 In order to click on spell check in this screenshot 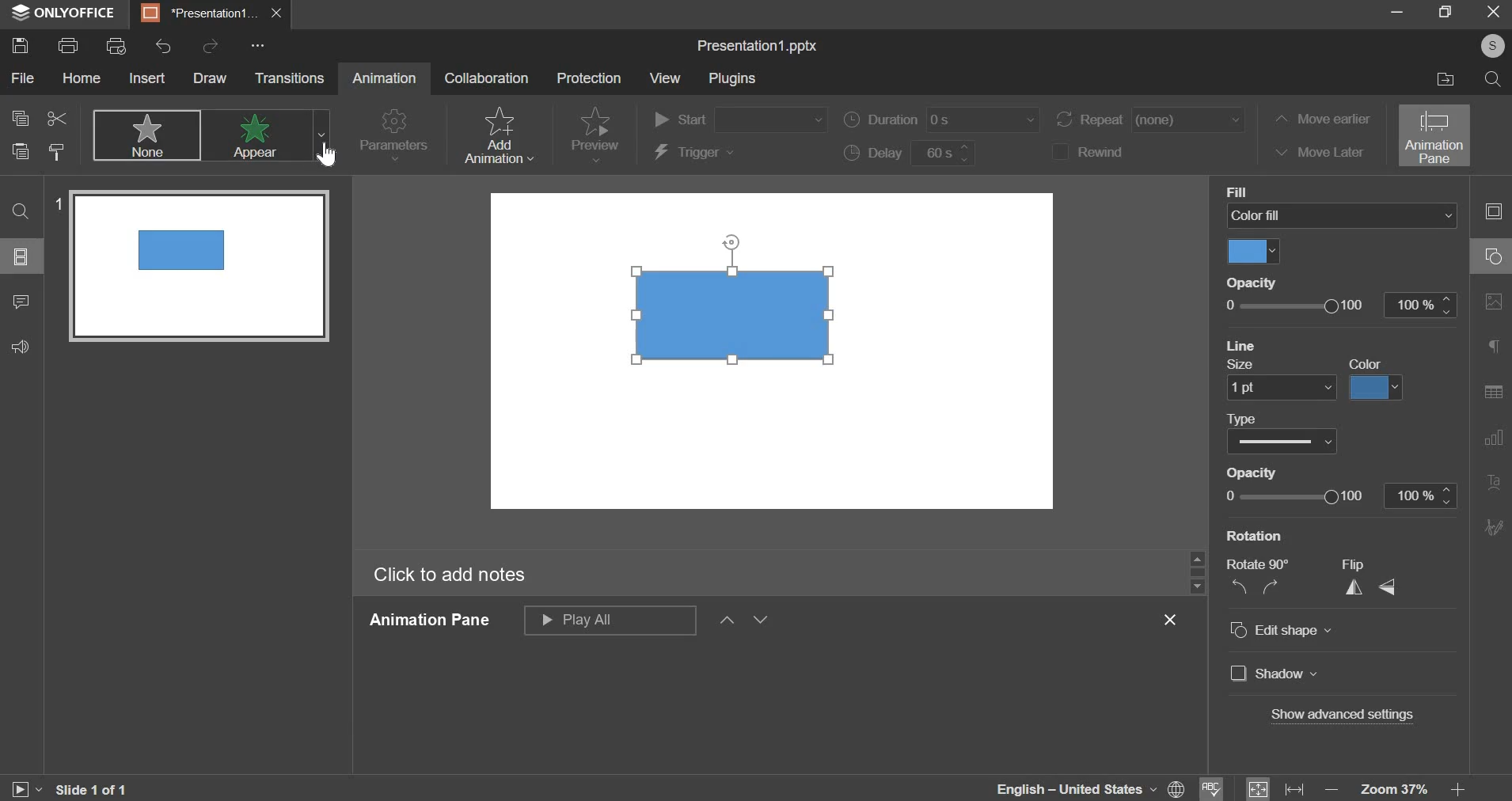, I will do `click(1217, 786)`.